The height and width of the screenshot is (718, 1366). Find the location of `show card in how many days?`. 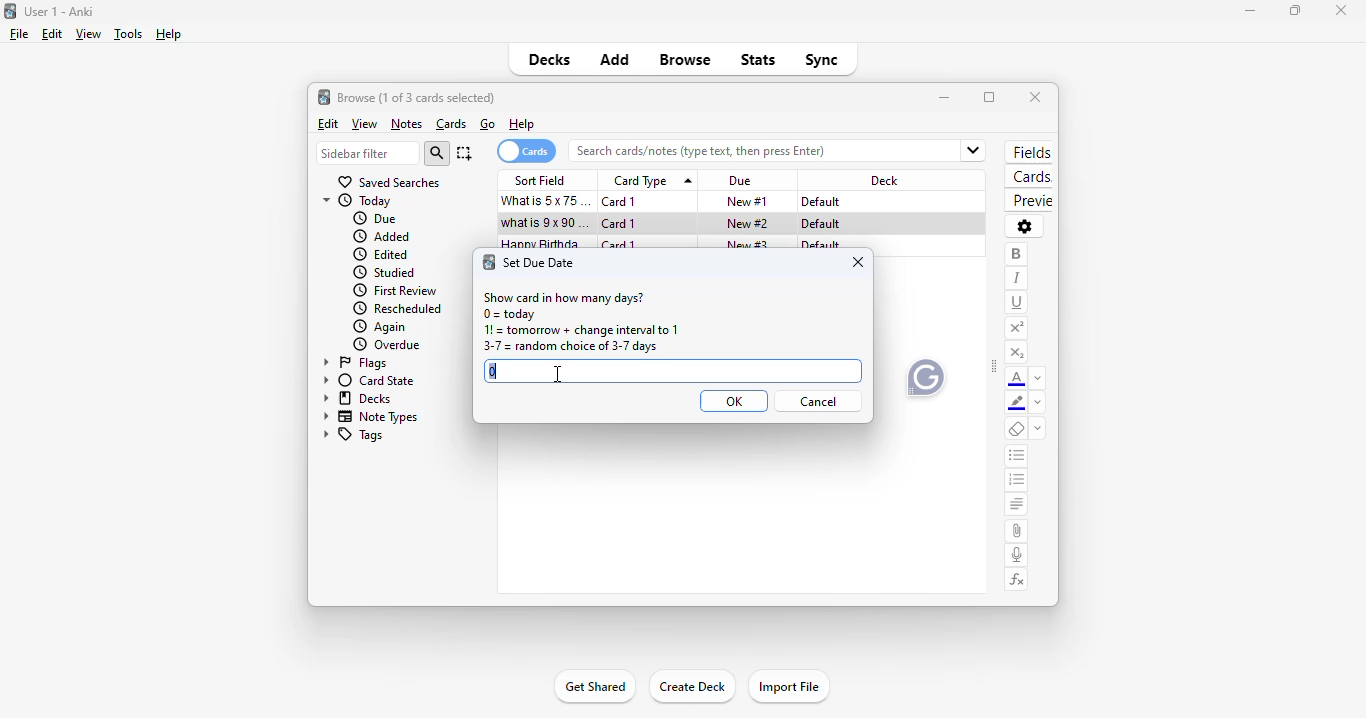

show card in how many days? is located at coordinates (563, 297).